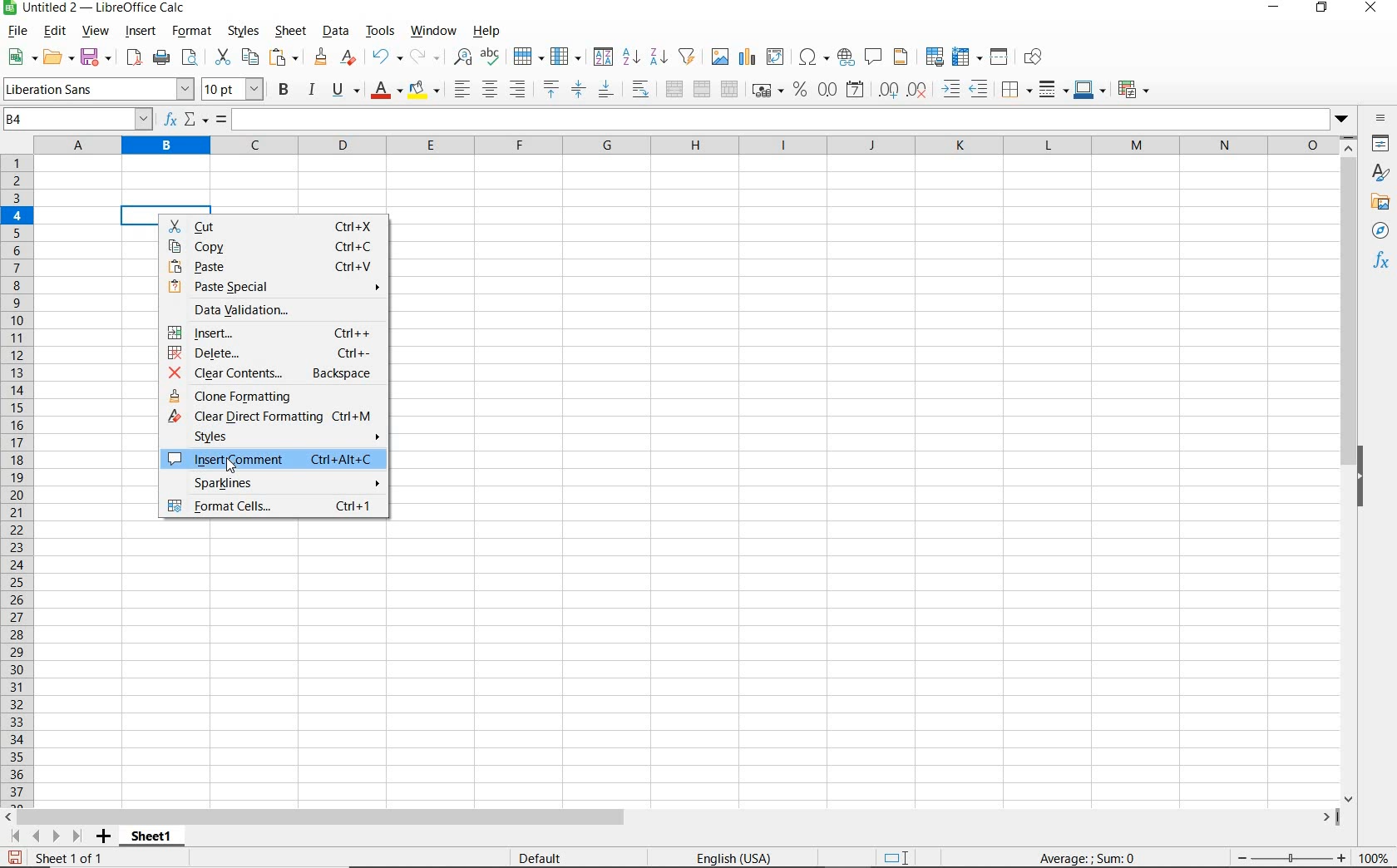 The image size is (1397, 868). Describe the element at coordinates (1380, 118) in the screenshot. I see `sidebar settings` at that location.